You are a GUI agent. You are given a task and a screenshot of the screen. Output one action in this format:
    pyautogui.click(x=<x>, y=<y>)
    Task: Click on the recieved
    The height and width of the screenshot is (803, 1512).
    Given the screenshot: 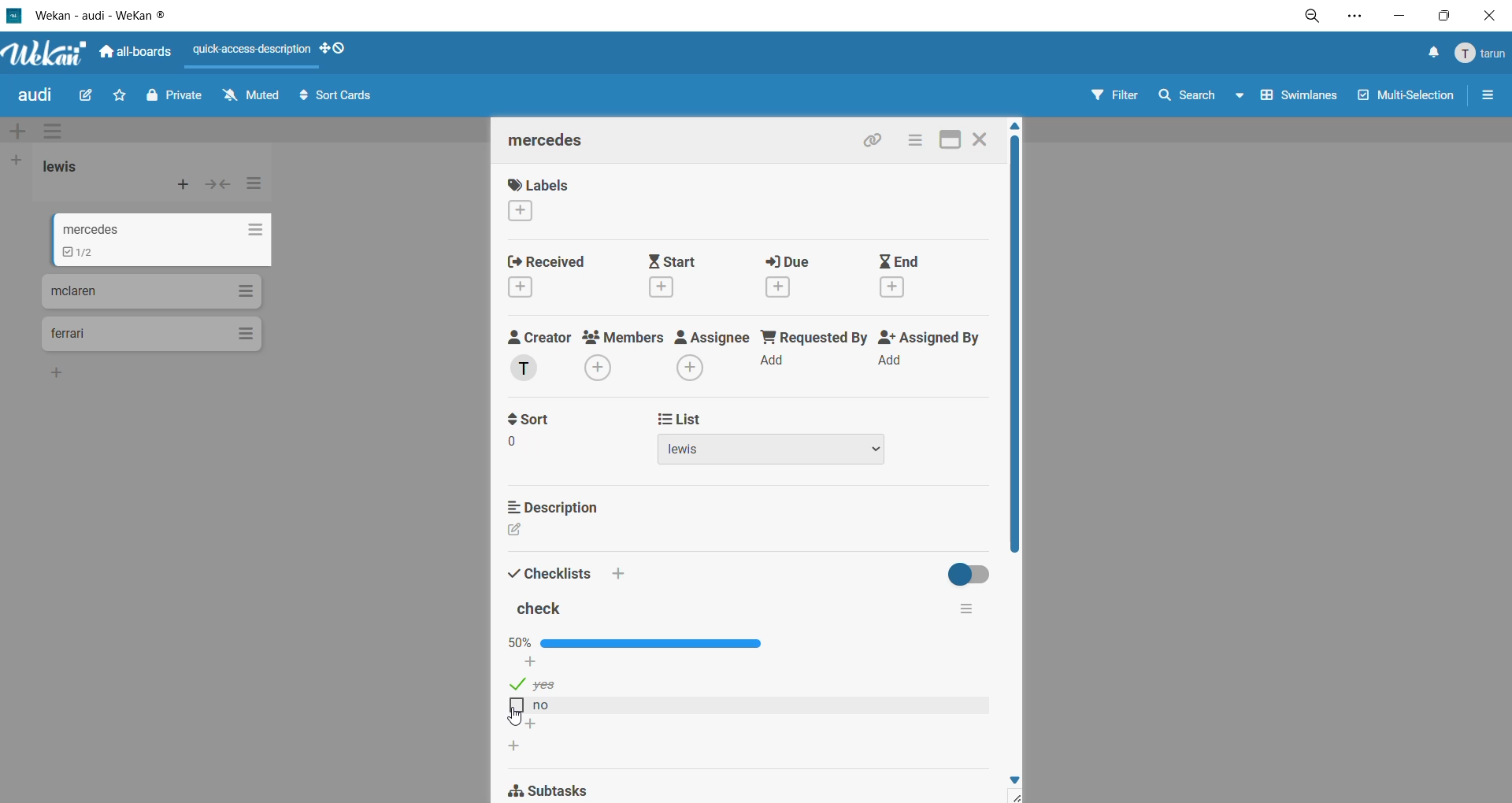 What is the action you would take?
    pyautogui.click(x=566, y=276)
    